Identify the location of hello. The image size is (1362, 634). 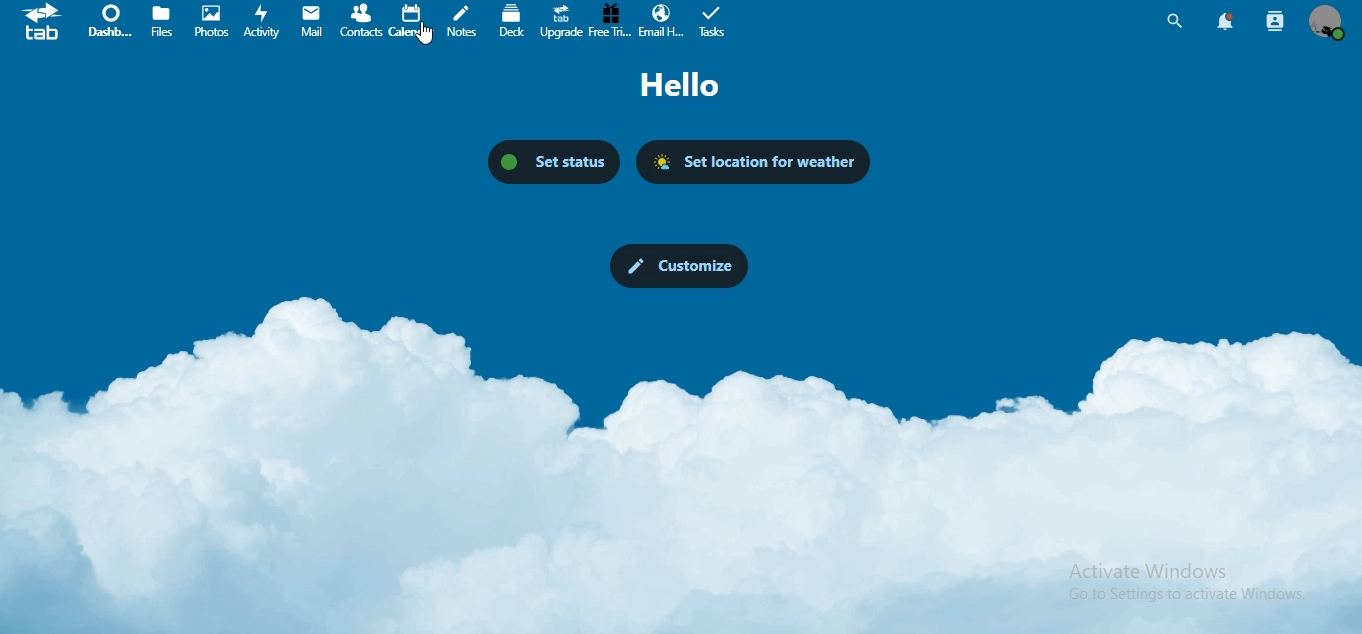
(689, 87).